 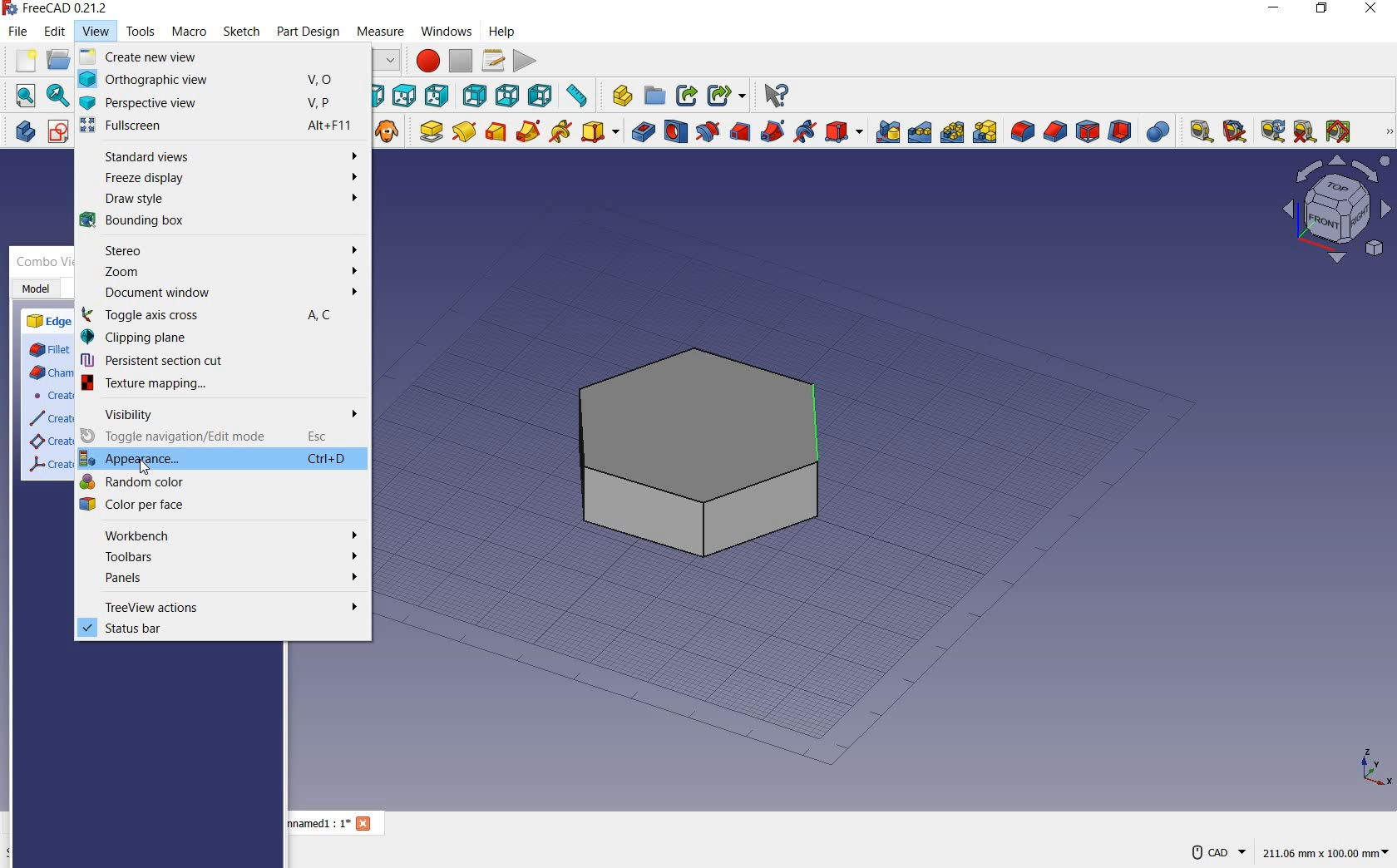 What do you see at coordinates (542, 96) in the screenshot?
I see `left` at bounding box center [542, 96].